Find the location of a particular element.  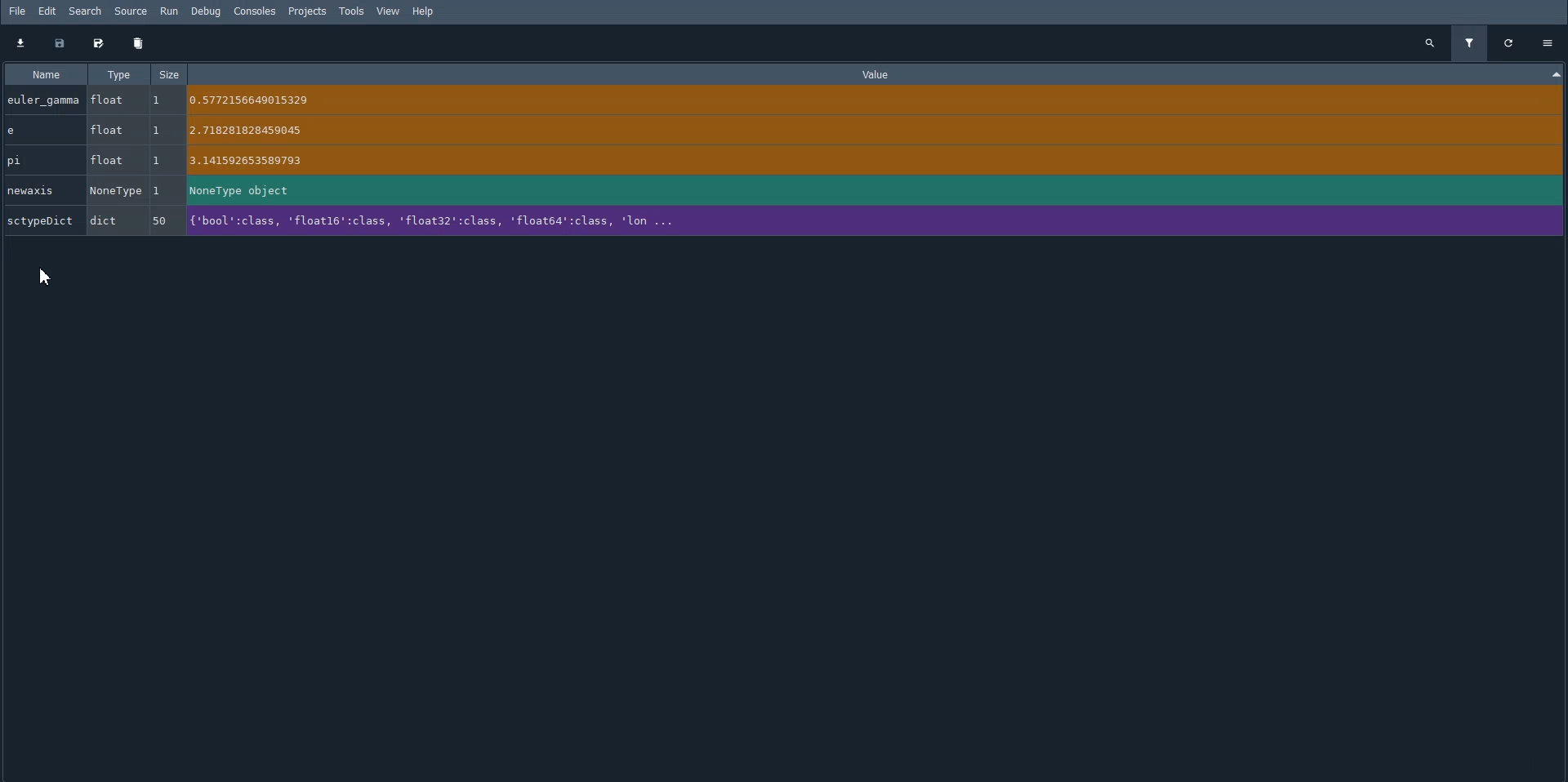

pi is located at coordinates (220, 162).